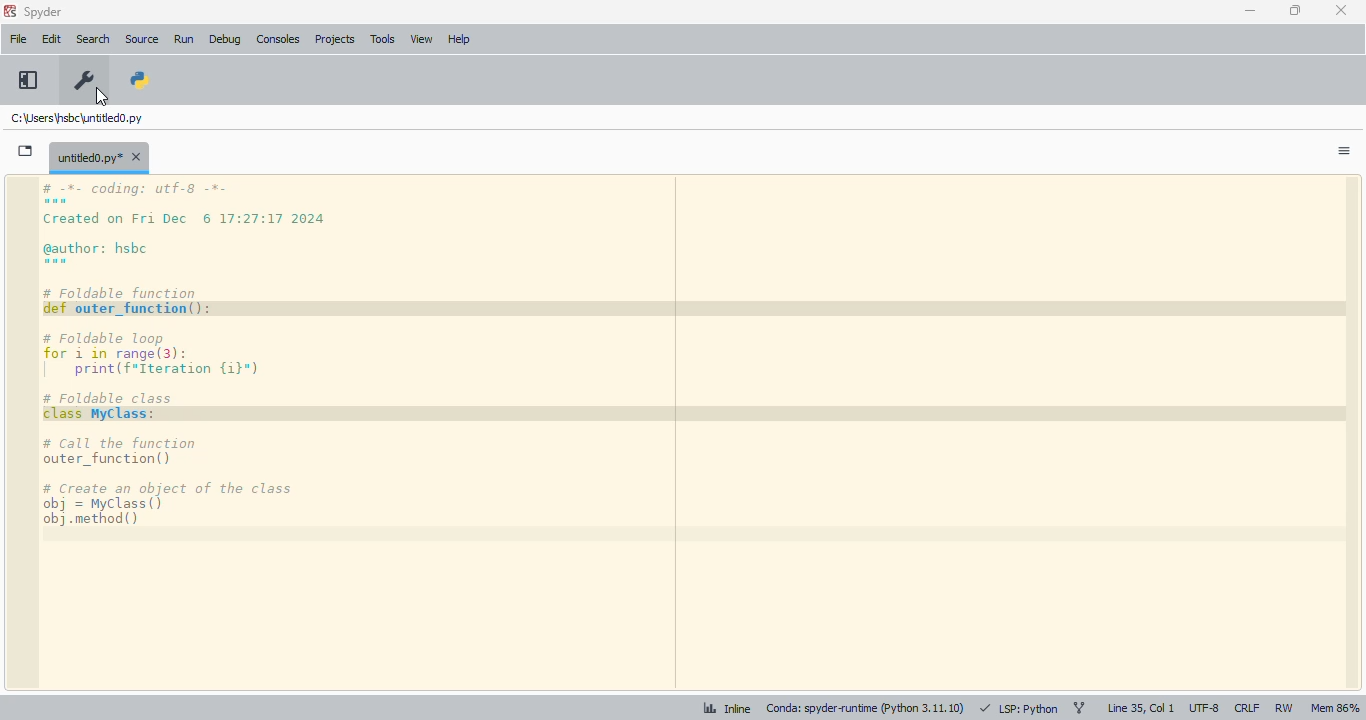  Describe the element at coordinates (698, 431) in the screenshot. I see `editor` at that location.